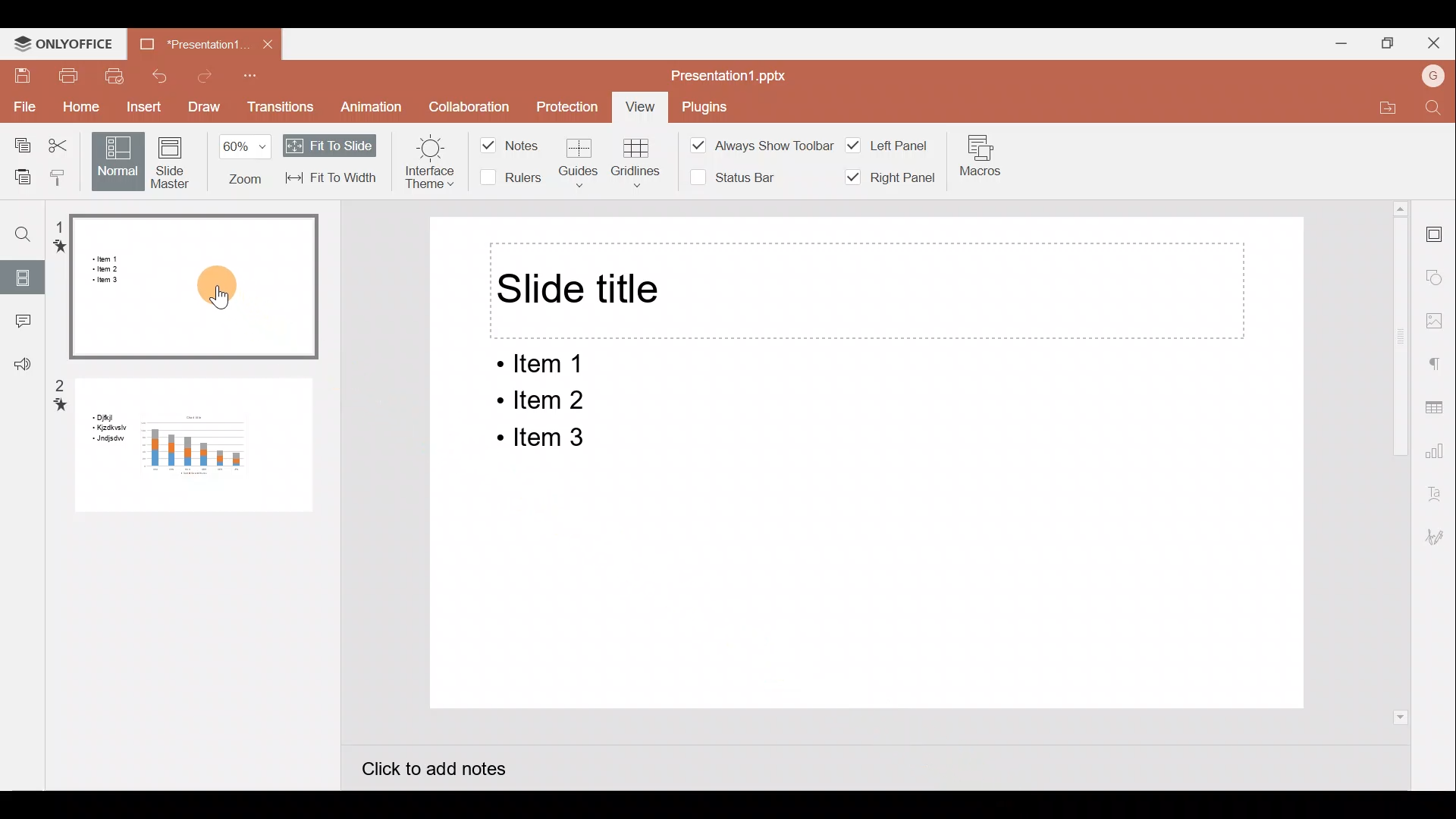 The image size is (1456, 819). Describe the element at coordinates (1439, 537) in the screenshot. I see `Signature settings` at that location.